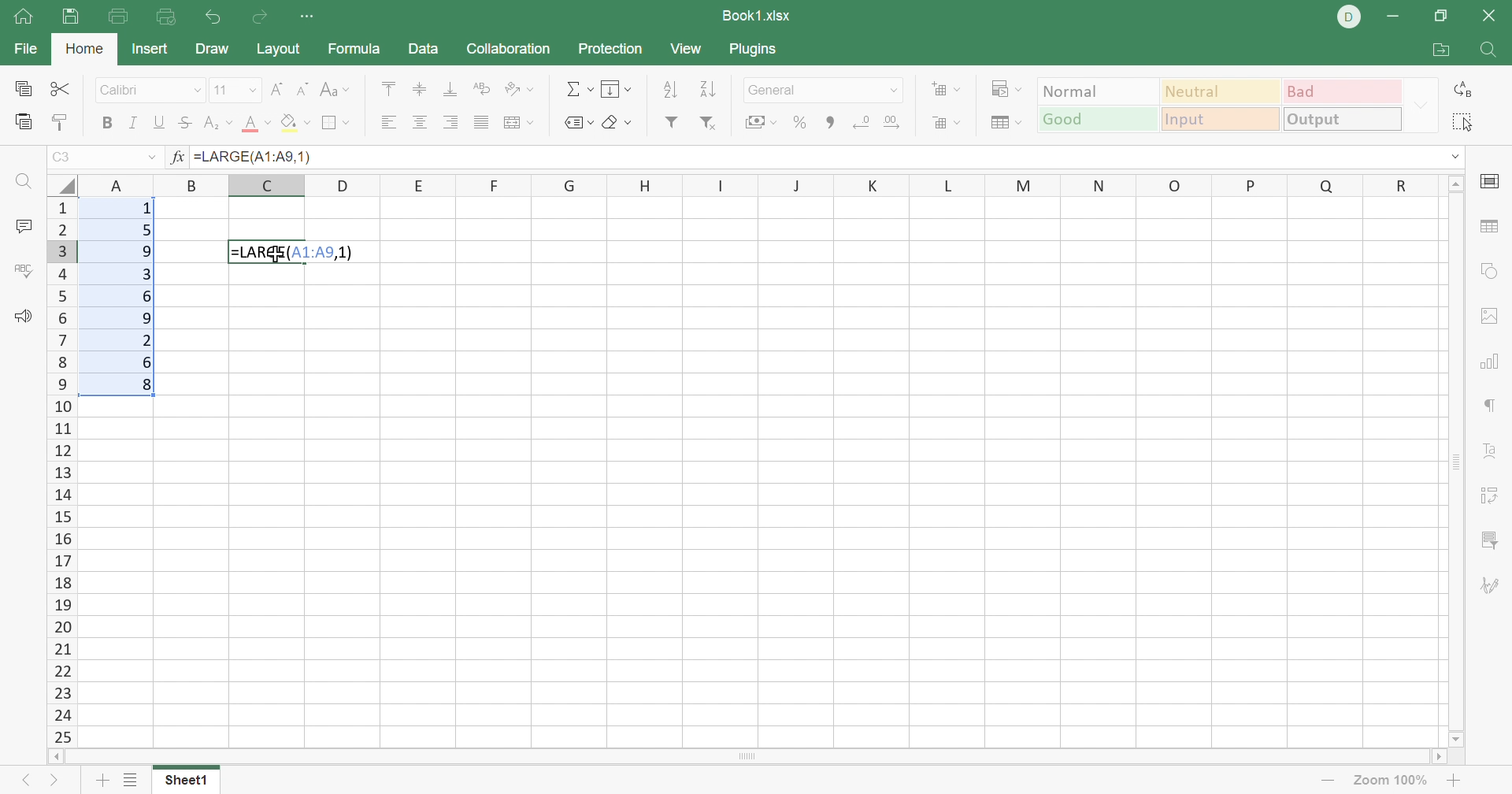 Image resolution: width=1512 pixels, height=794 pixels. Describe the element at coordinates (579, 88) in the screenshot. I see `Summation` at that location.